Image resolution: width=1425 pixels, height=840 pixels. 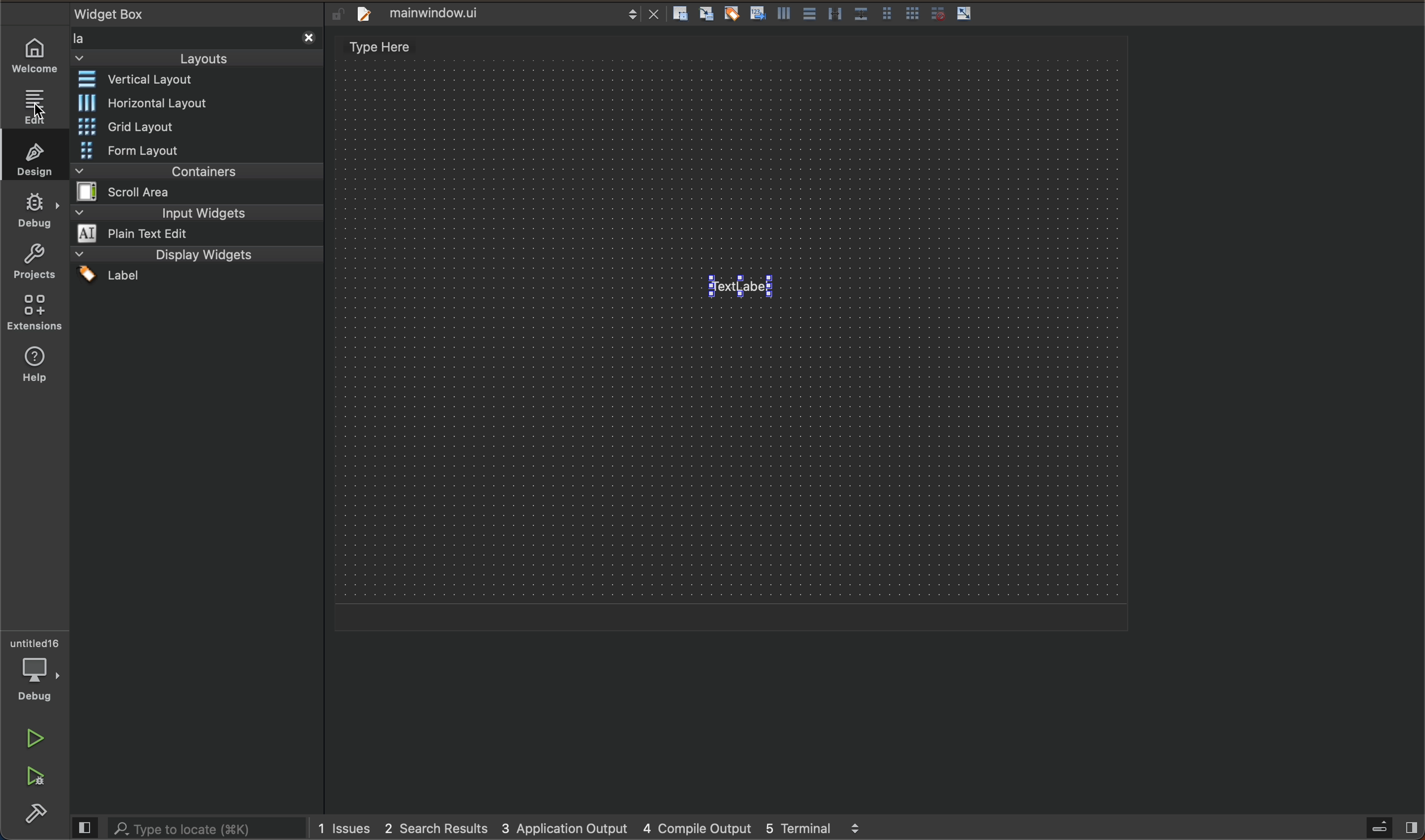 What do you see at coordinates (131, 191) in the screenshot?
I see `Scroll Area` at bounding box center [131, 191].